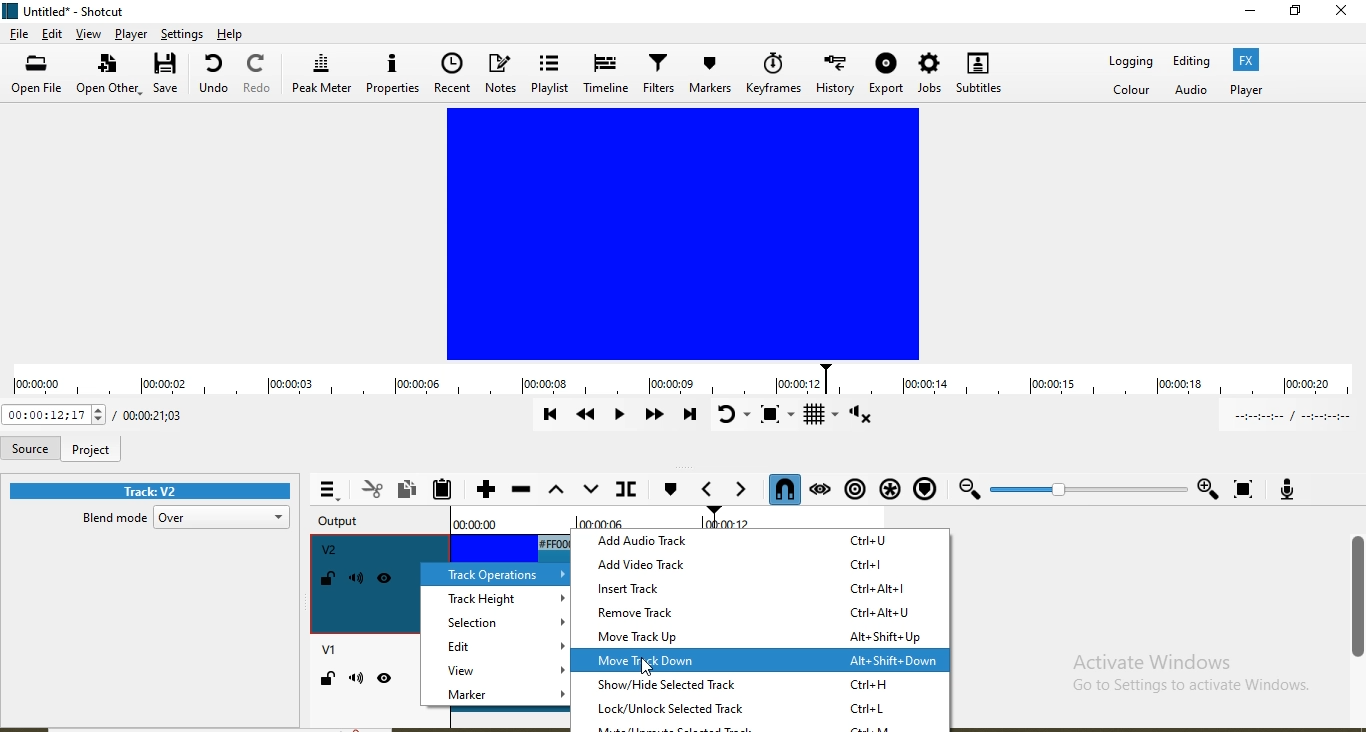  Describe the element at coordinates (443, 488) in the screenshot. I see `Paste ` at that location.